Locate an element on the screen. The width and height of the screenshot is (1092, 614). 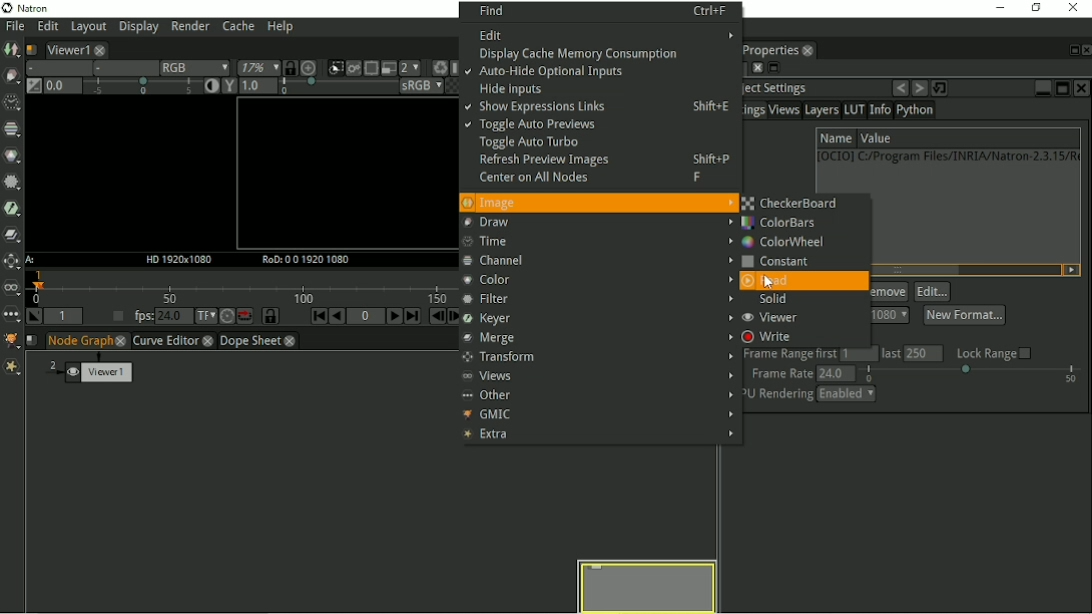
Set playback frame is located at coordinates (115, 317).